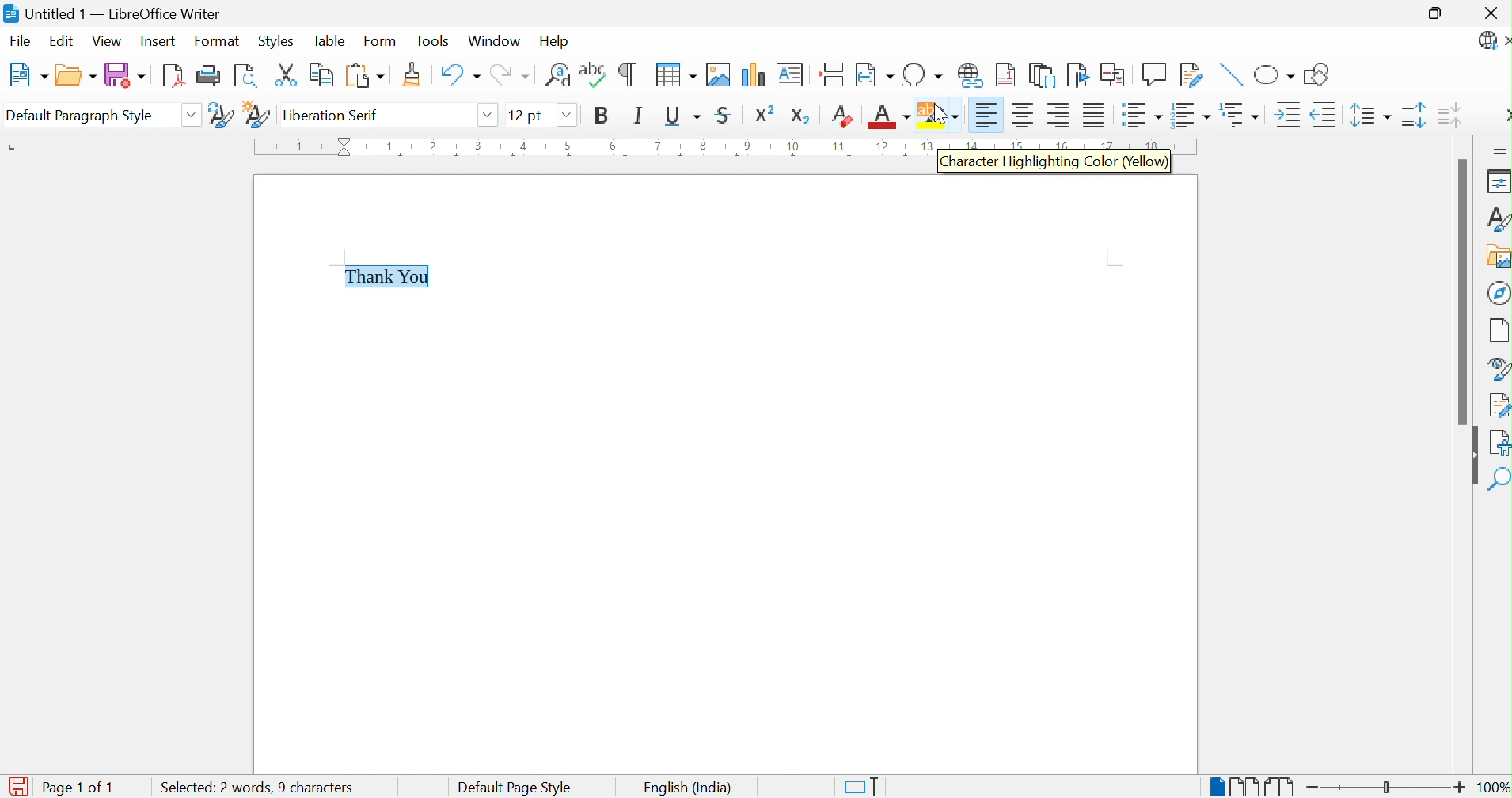 The height and width of the screenshot is (798, 1512). Describe the element at coordinates (1272, 72) in the screenshot. I see `Basic Shapes` at that location.